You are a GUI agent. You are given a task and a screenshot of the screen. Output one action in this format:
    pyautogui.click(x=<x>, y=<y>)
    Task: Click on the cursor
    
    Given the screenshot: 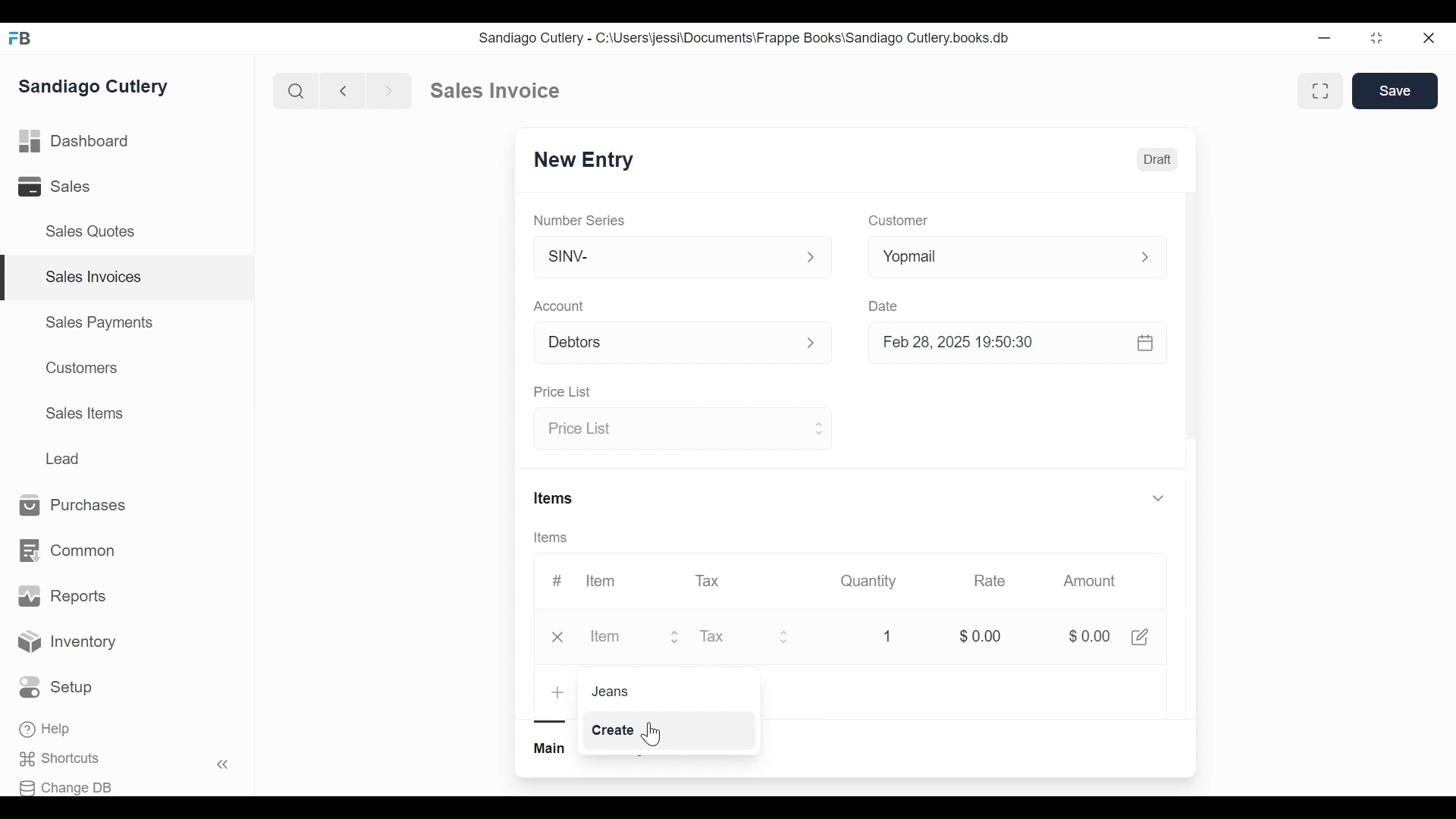 What is the action you would take?
    pyautogui.click(x=651, y=736)
    